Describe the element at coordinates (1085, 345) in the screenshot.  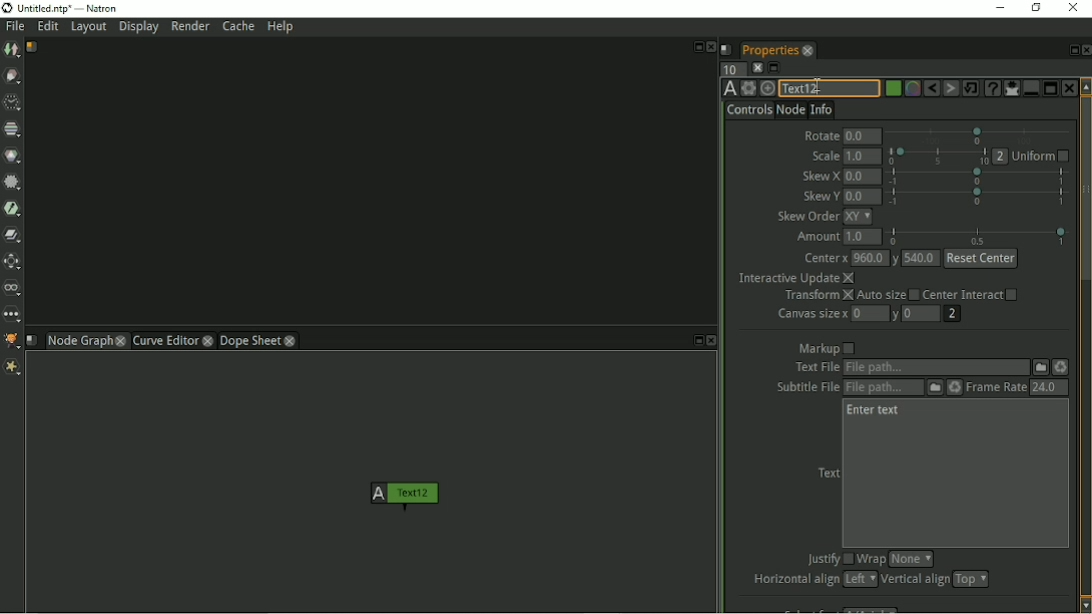
I see `Vertical scrollbar` at that location.